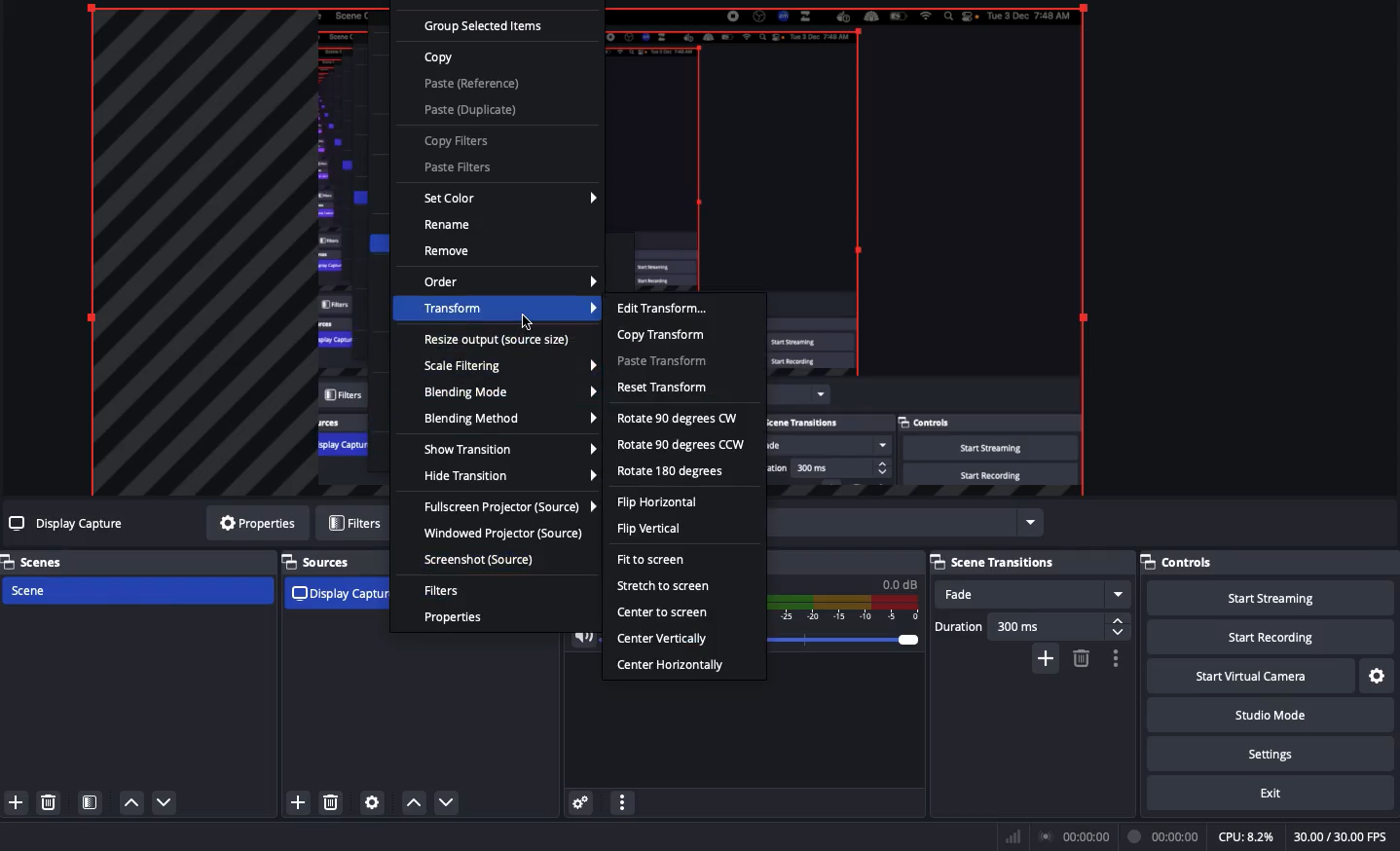 The width and height of the screenshot is (1400, 851). Describe the element at coordinates (457, 618) in the screenshot. I see `Properties` at that location.